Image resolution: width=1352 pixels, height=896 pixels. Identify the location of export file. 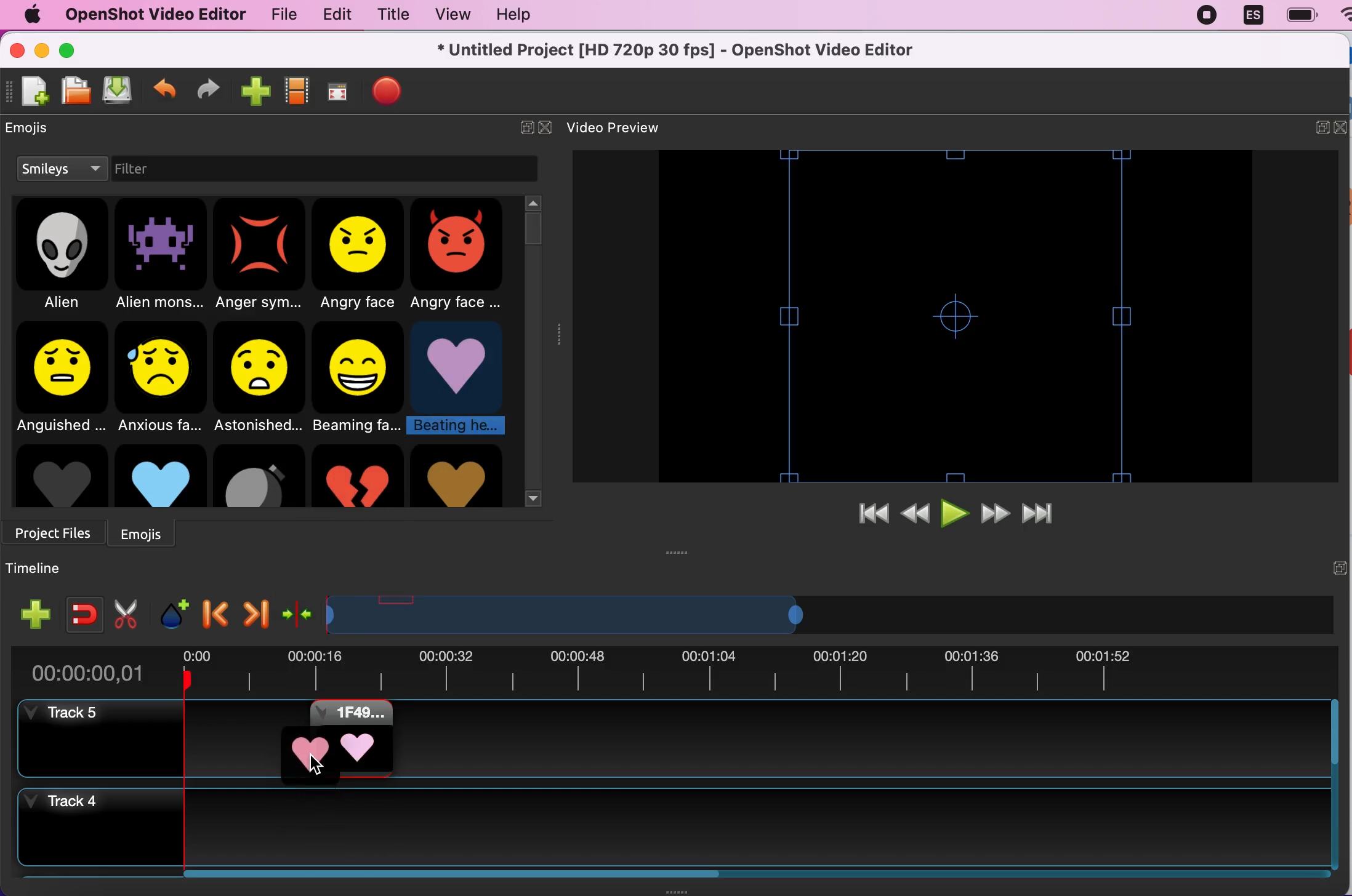
(387, 92).